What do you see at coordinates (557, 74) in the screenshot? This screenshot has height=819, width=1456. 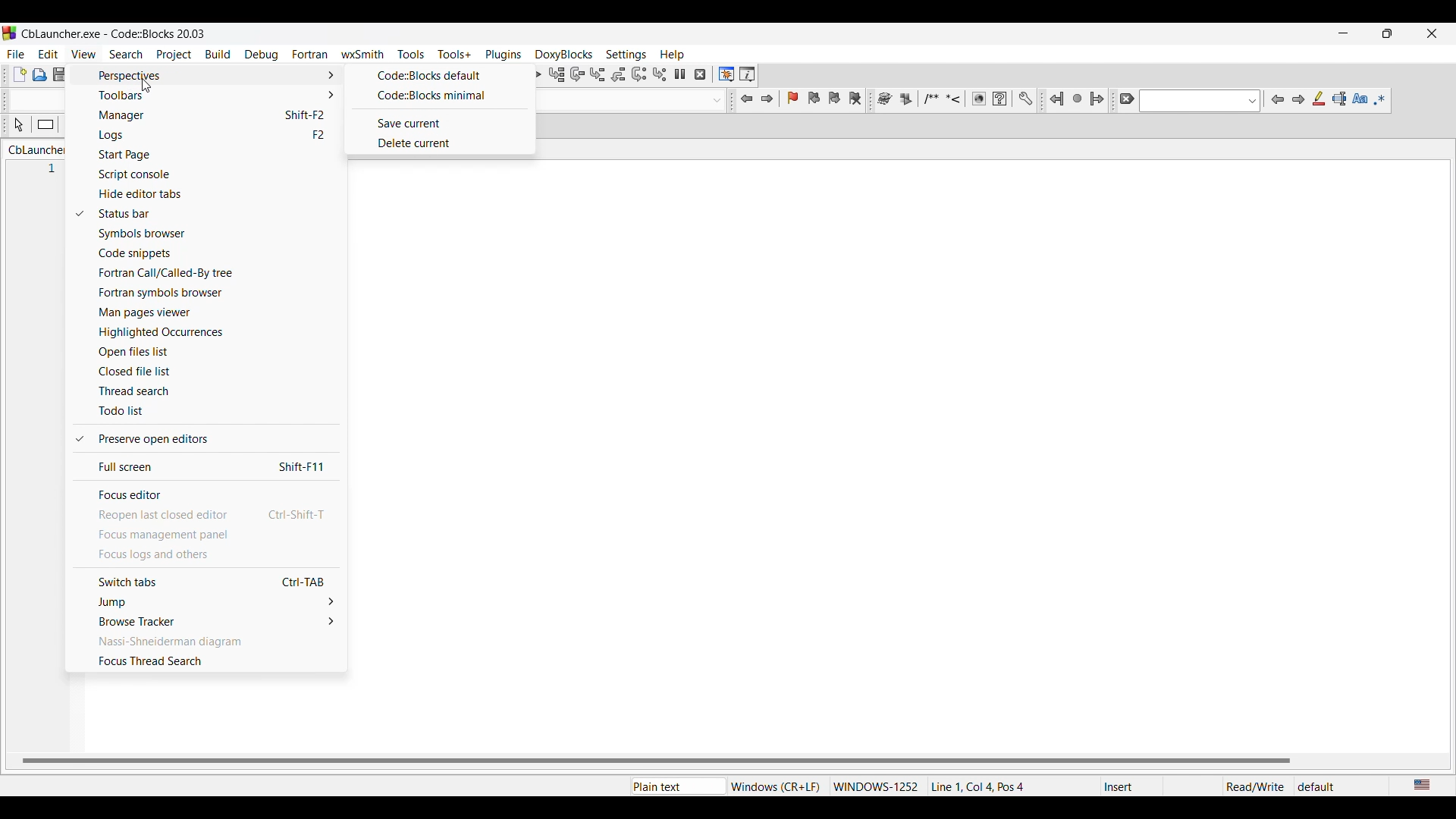 I see `Run to cursor` at bounding box center [557, 74].